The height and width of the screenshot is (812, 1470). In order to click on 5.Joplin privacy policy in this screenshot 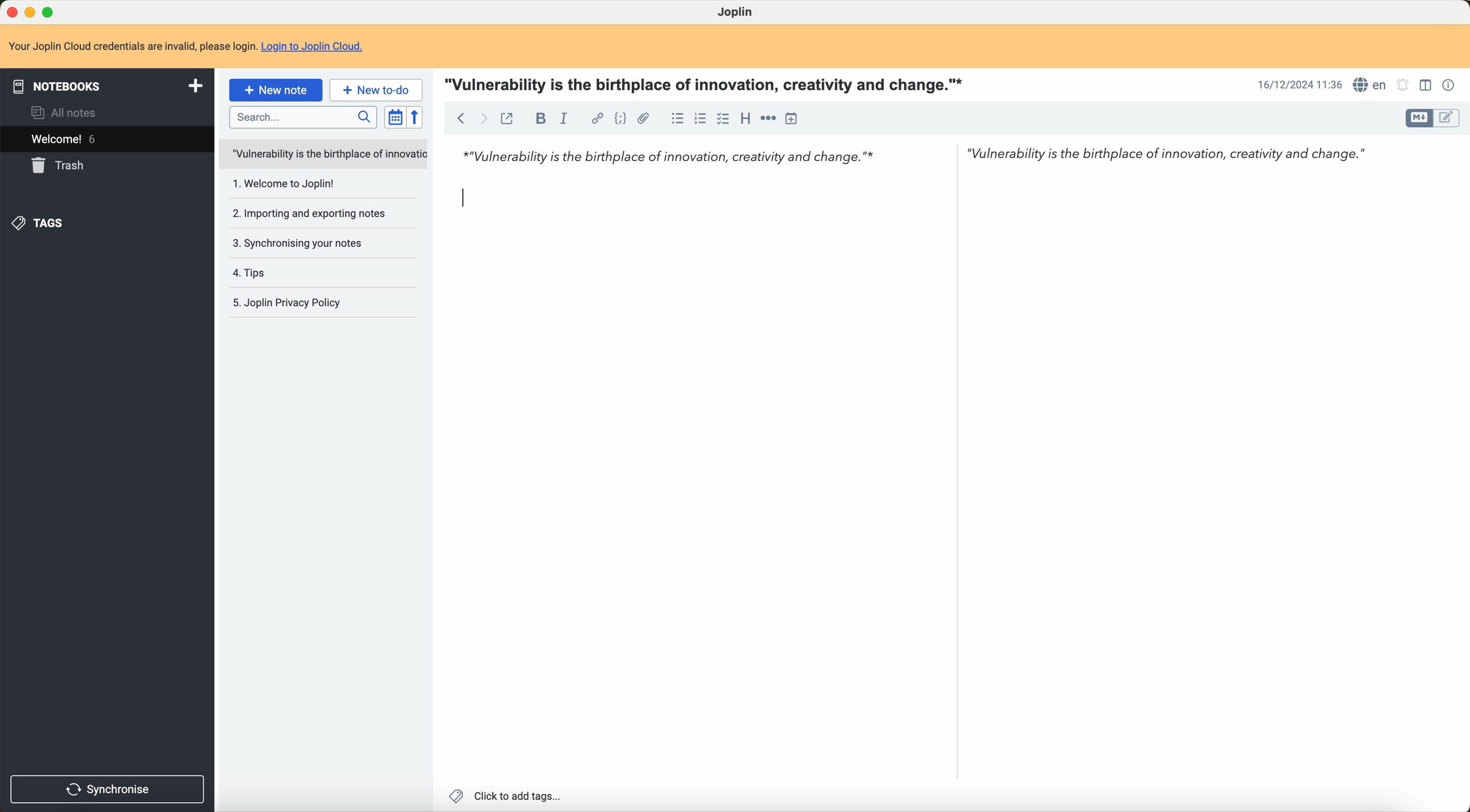, I will do `click(293, 302)`.